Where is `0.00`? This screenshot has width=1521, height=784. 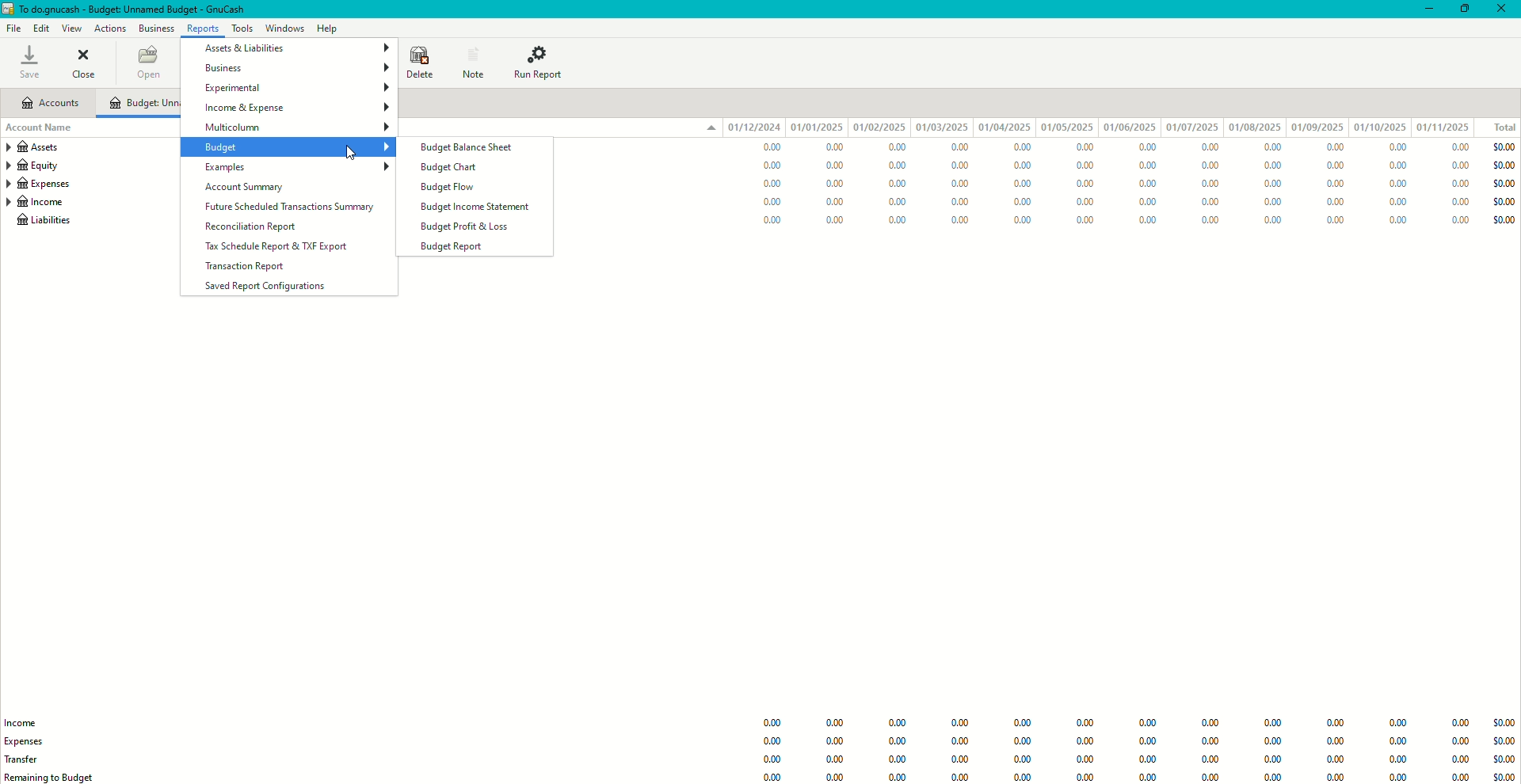 0.00 is located at coordinates (1271, 725).